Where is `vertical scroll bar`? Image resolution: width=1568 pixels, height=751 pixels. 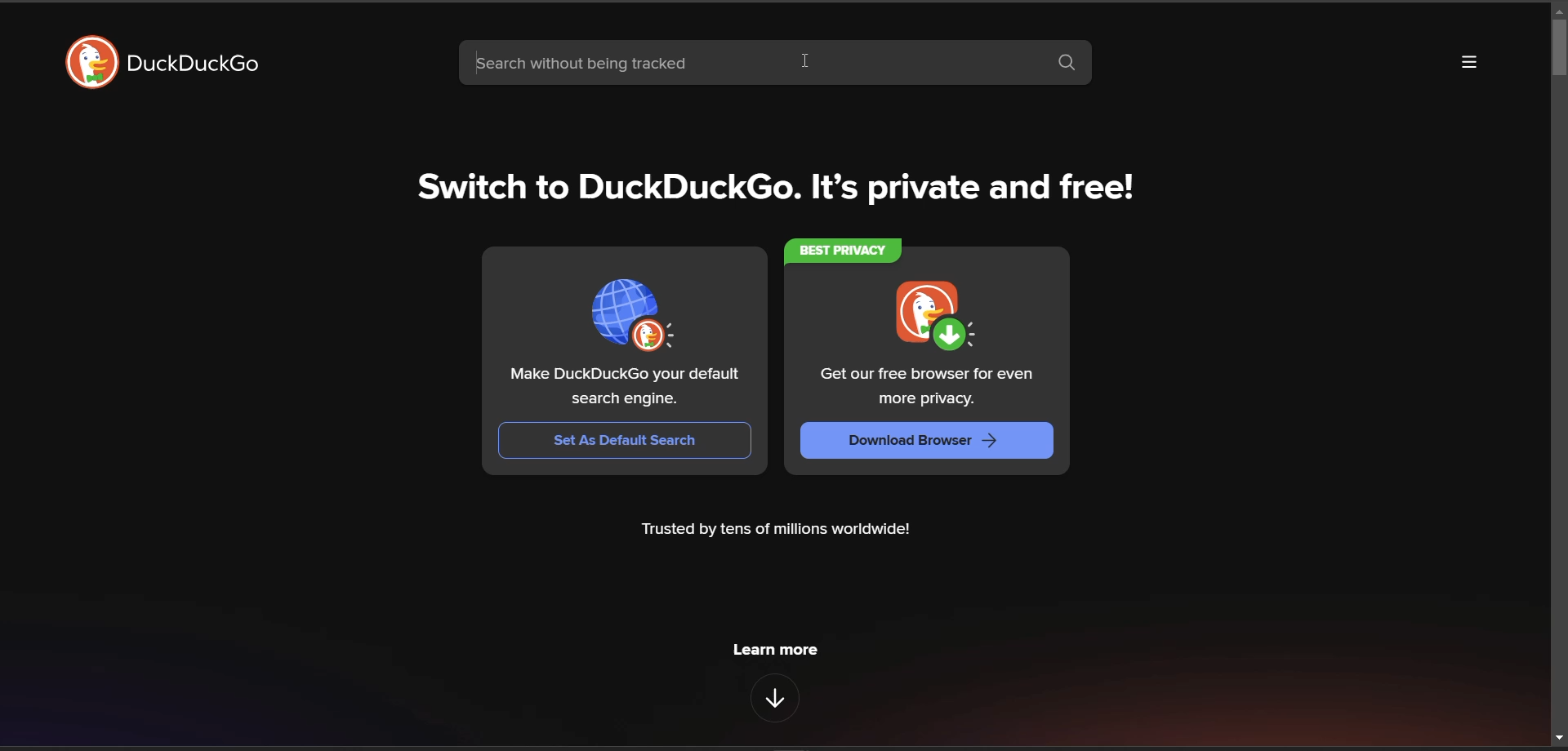
vertical scroll bar is located at coordinates (1558, 48).